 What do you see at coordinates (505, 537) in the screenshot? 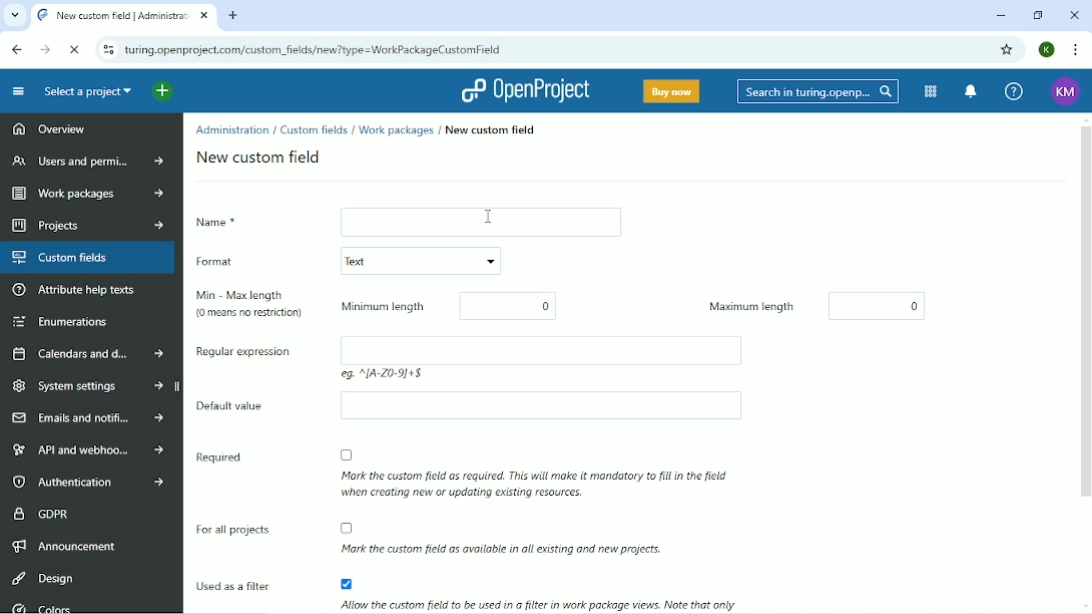
I see `Mark the custom field as available in all existing and new projects` at bounding box center [505, 537].